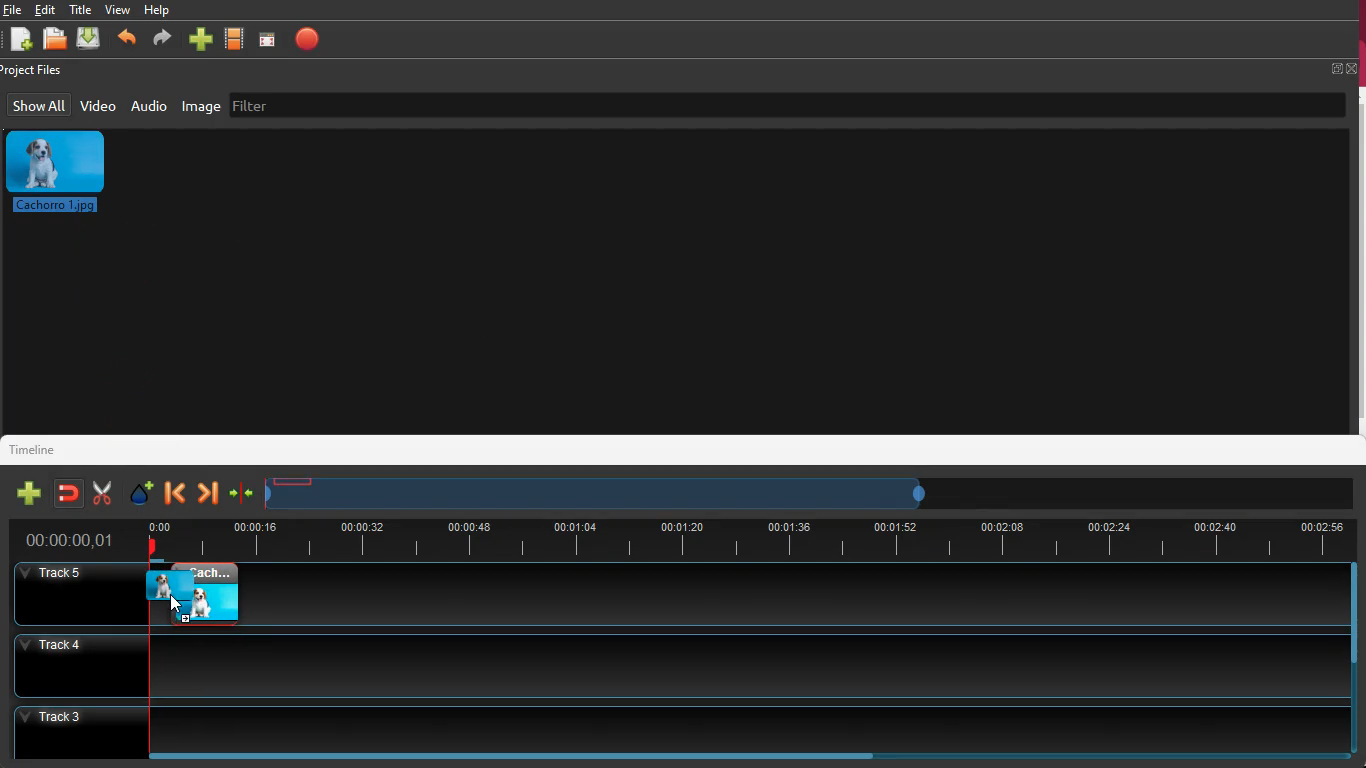  I want to click on add, so click(20, 41).